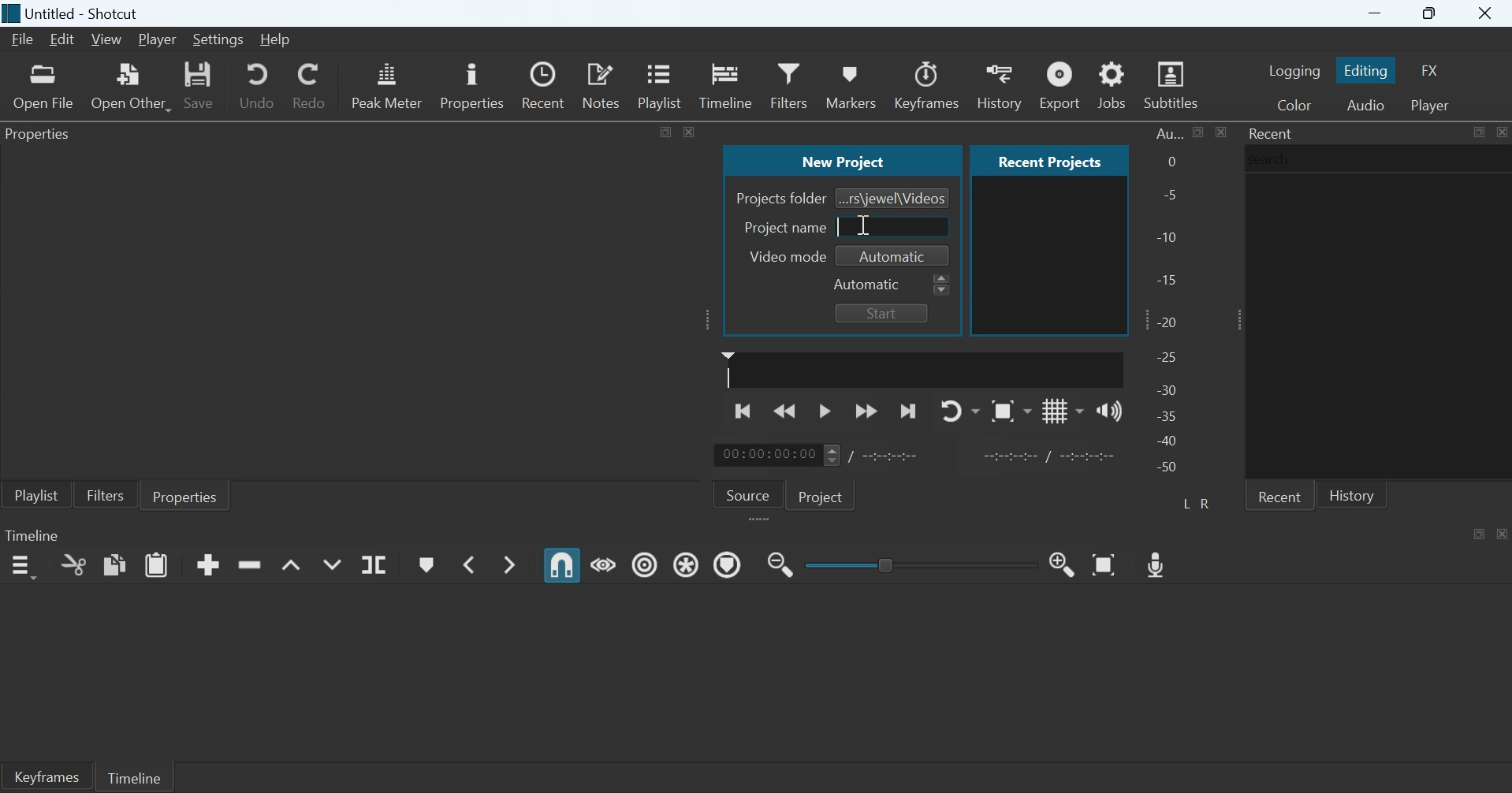 The width and height of the screenshot is (1512, 793). What do you see at coordinates (1109, 410) in the screenshot?
I see `Show the volume control` at bounding box center [1109, 410].